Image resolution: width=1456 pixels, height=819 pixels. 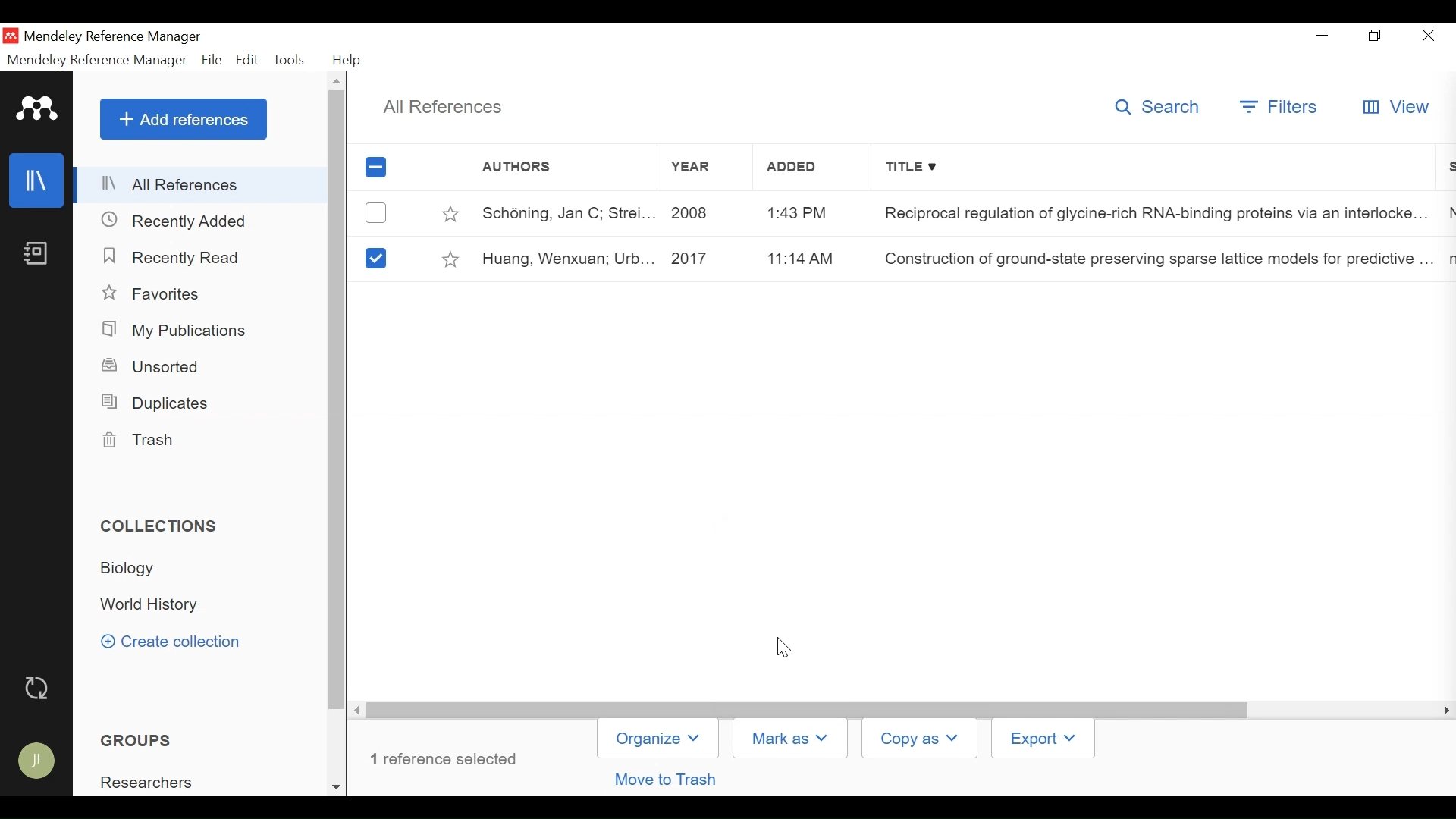 What do you see at coordinates (352, 60) in the screenshot?
I see `Help` at bounding box center [352, 60].